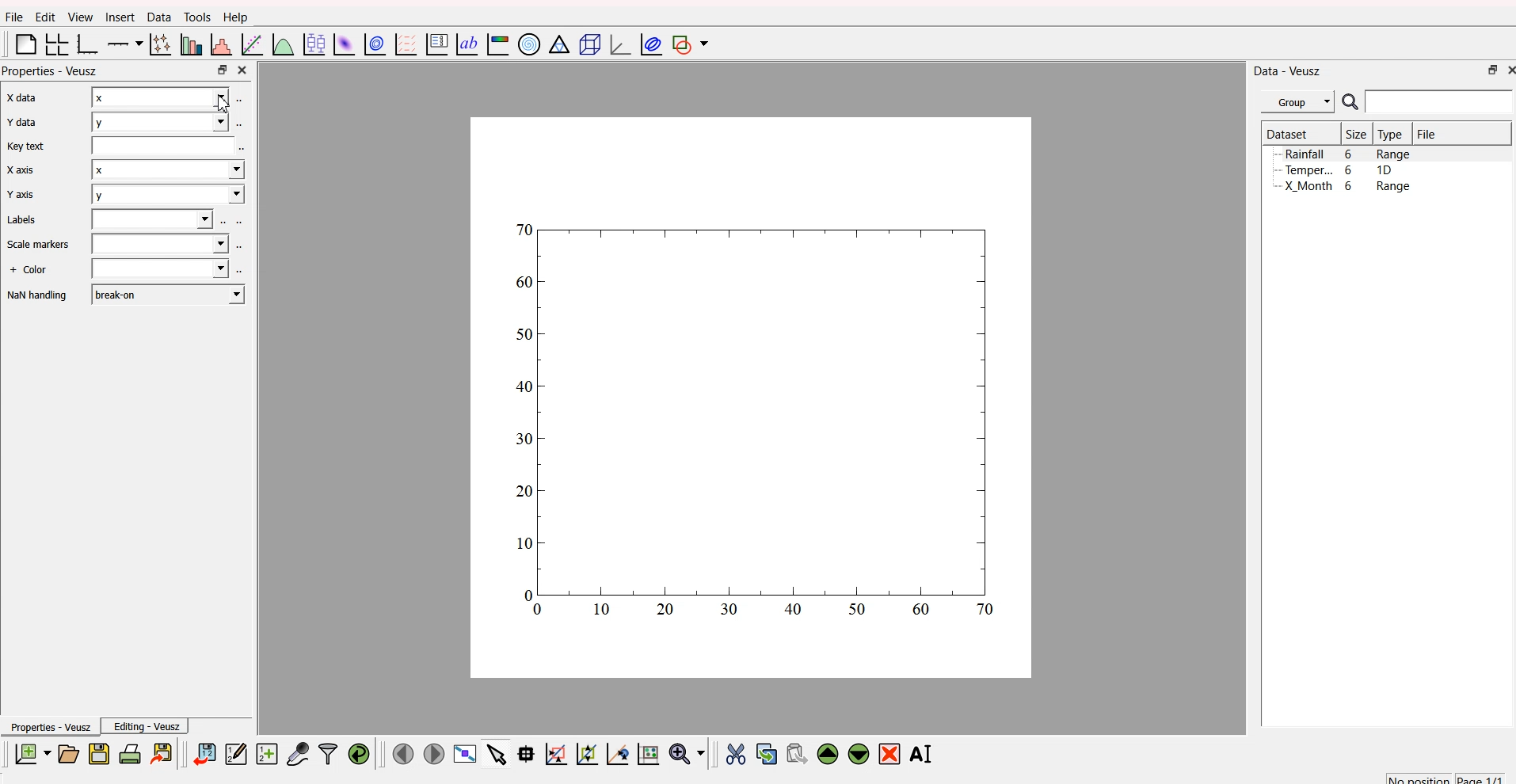  What do you see at coordinates (231, 102) in the screenshot?
I see `cursor` at bounding box center [231, 102].